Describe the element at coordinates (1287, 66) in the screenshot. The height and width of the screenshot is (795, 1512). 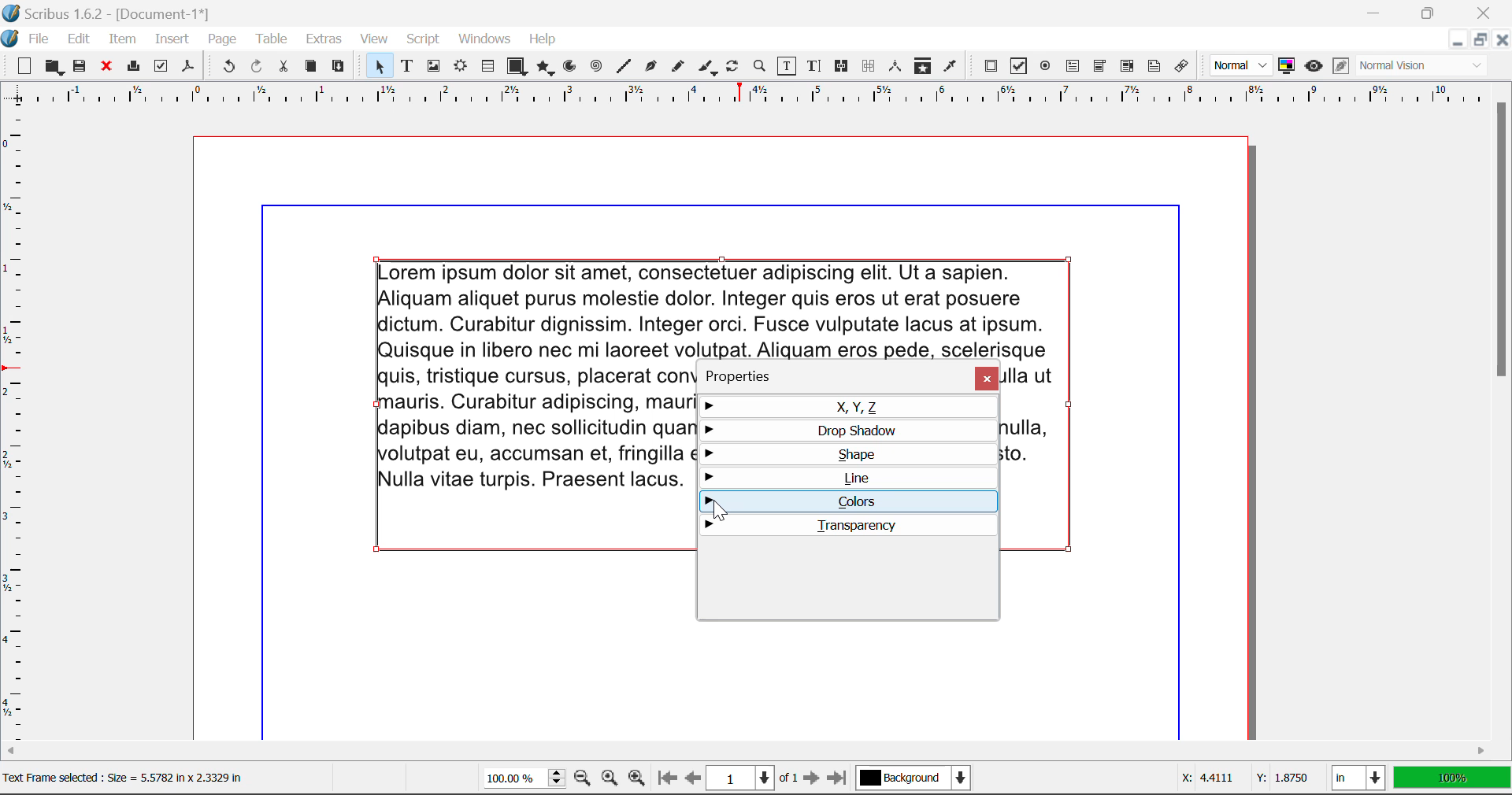
I see `Toggle Color Management` at that location.